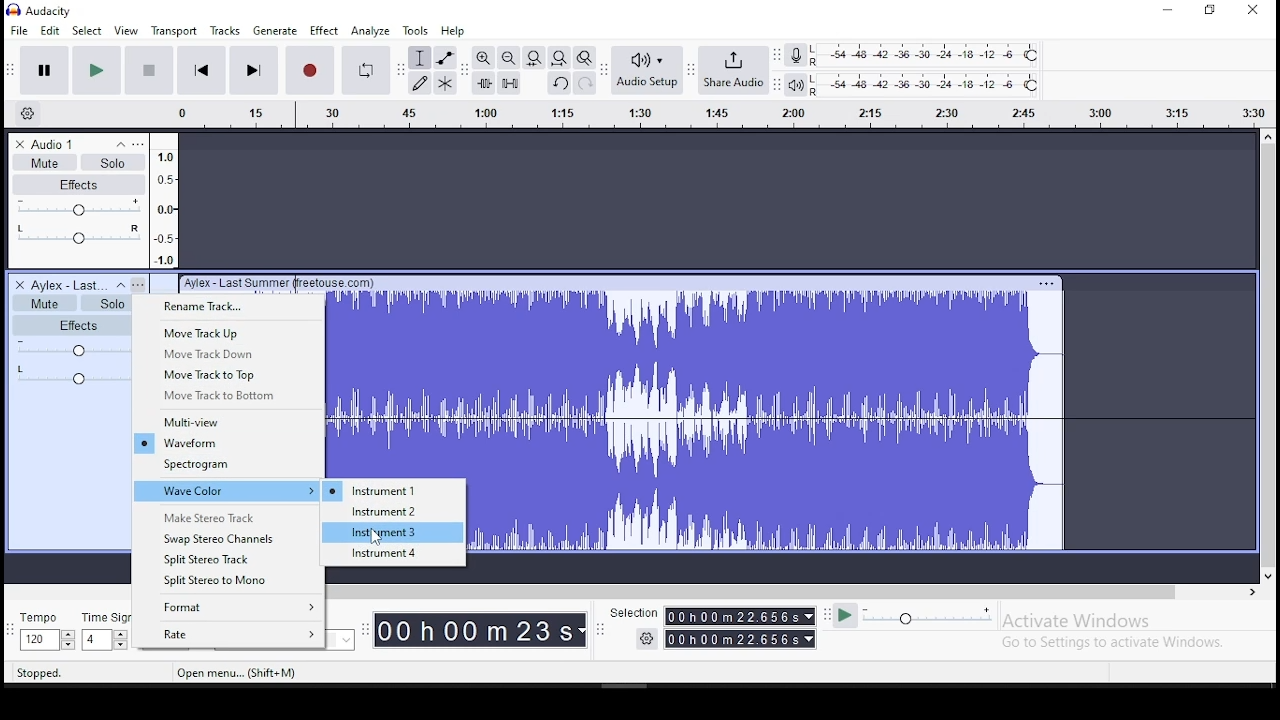 This screenshot has height=720, width=1280. What do you see at coordinates (484, 83) in the screenshot?
I see `trim audio outside selection` at bounding box center [484, 83].